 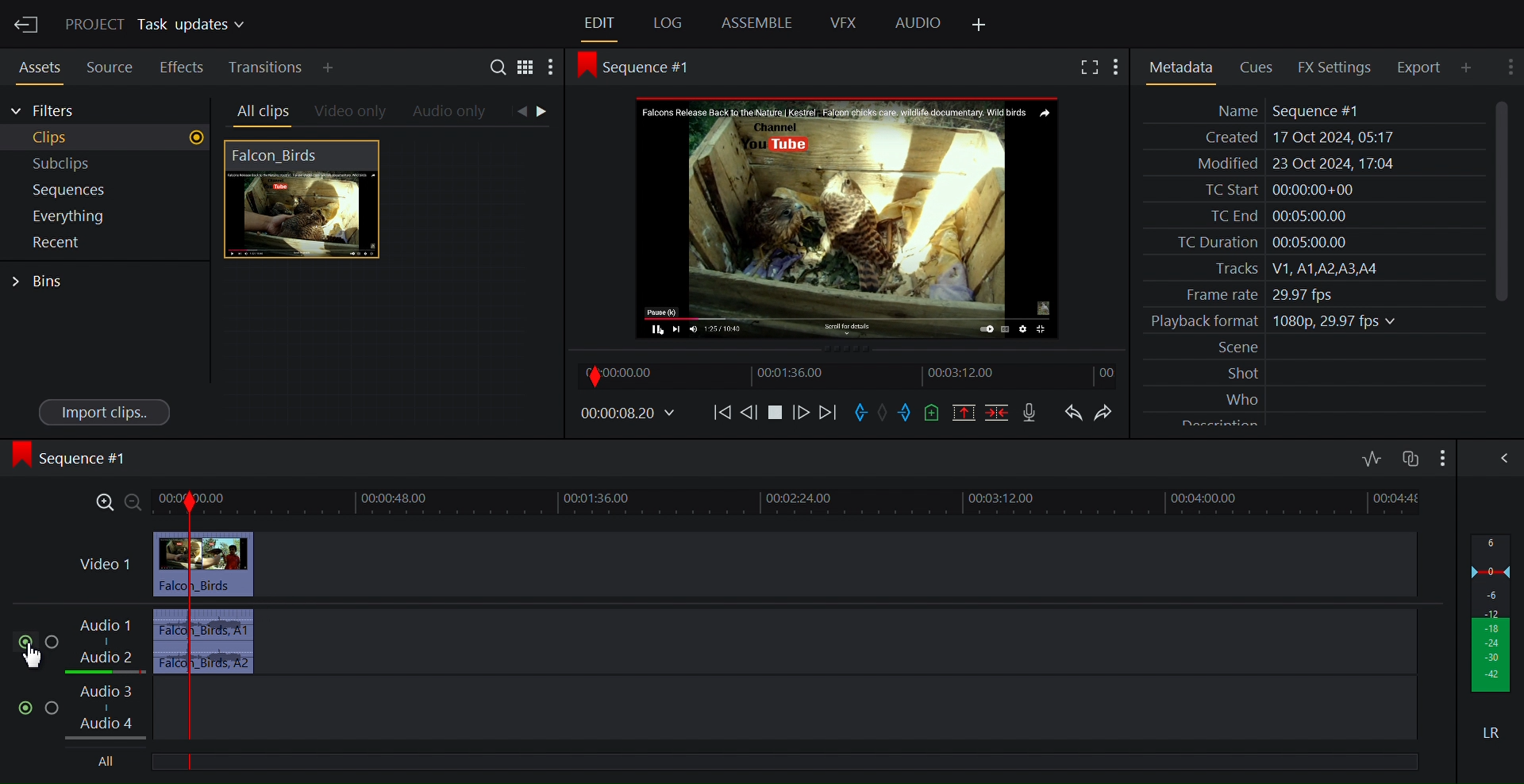 I want to click on Show/Hide audio full mix, so click(x=1441, y=457).